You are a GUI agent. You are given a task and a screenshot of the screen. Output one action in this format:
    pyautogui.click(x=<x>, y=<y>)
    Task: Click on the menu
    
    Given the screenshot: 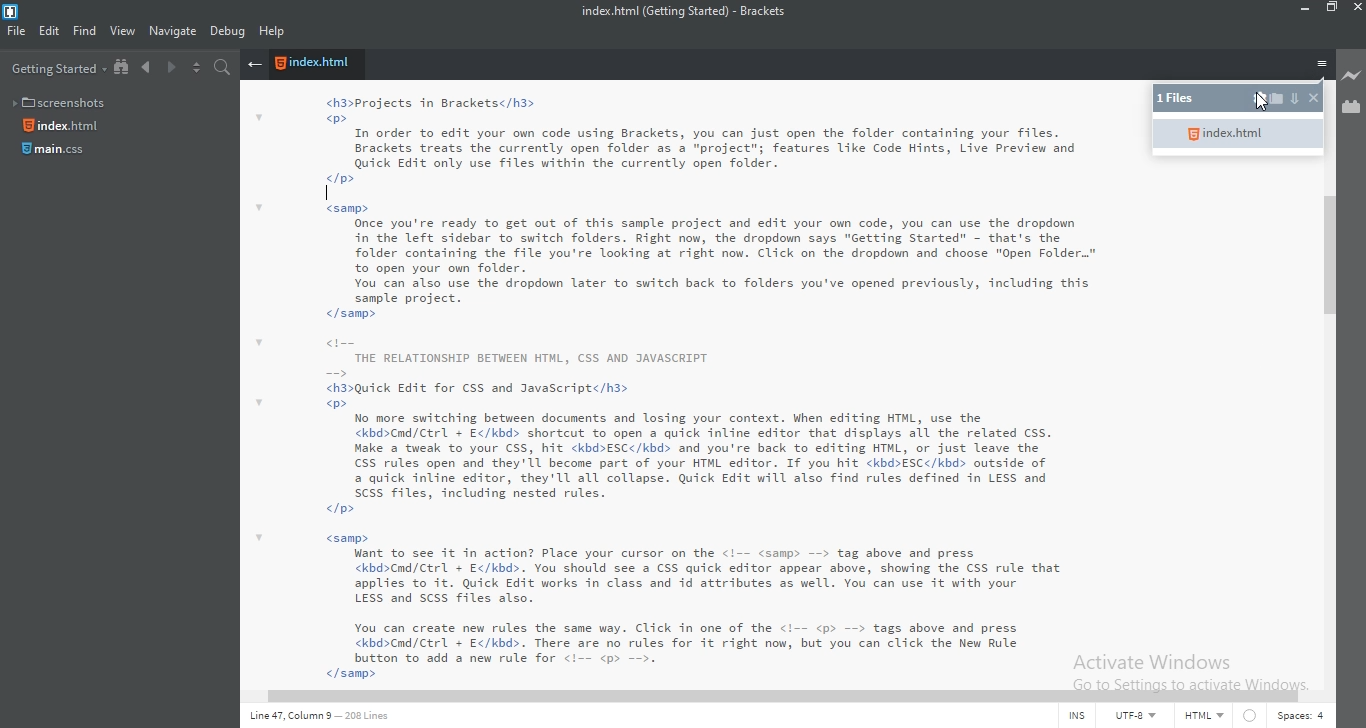 What is the action you would take?
    pyautogui.click(x=1321, y=66)
    